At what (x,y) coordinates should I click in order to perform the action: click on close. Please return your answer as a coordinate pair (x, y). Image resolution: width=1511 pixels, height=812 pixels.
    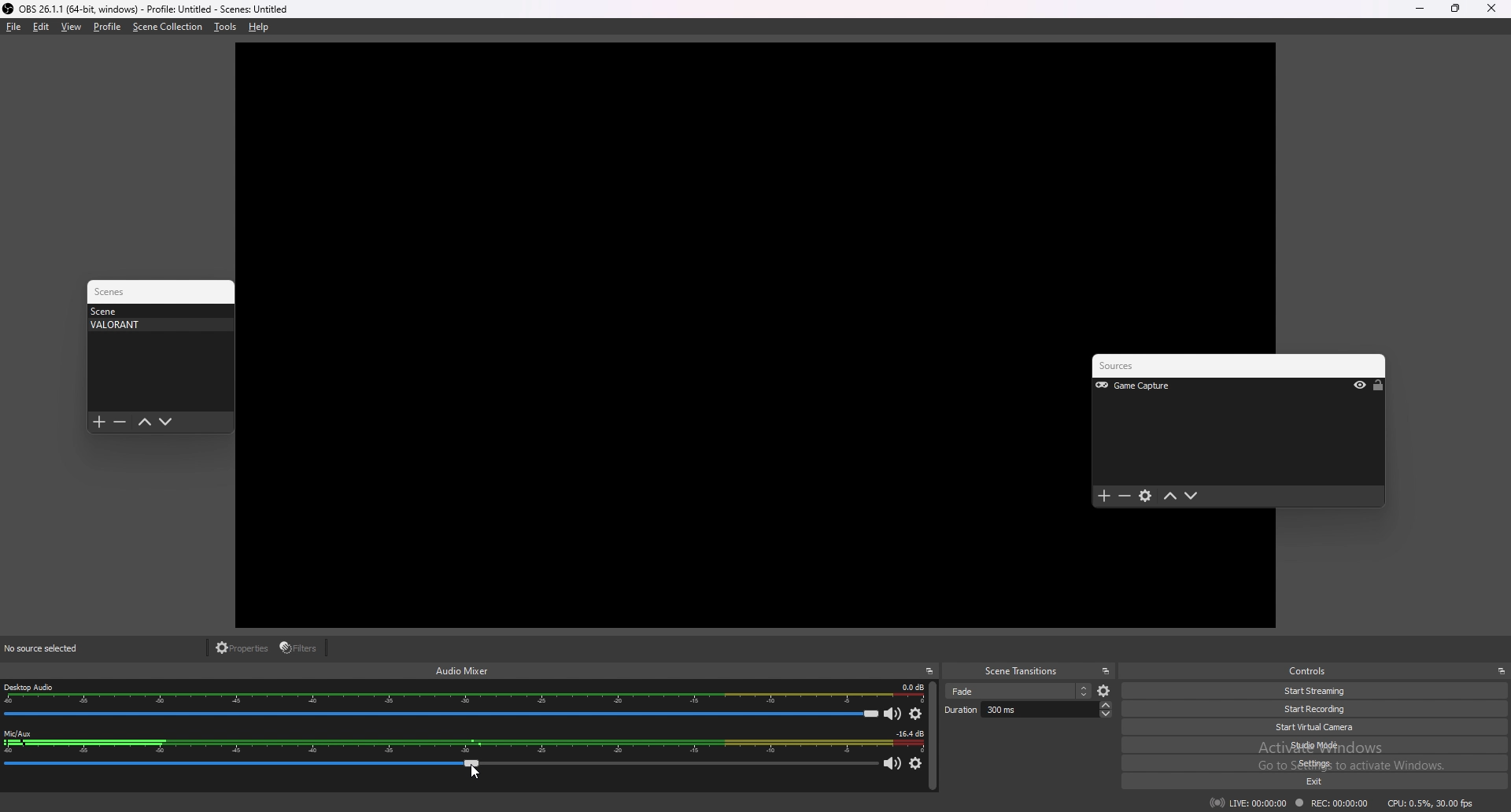
    Looking at the image, I should click on (1491, 9).